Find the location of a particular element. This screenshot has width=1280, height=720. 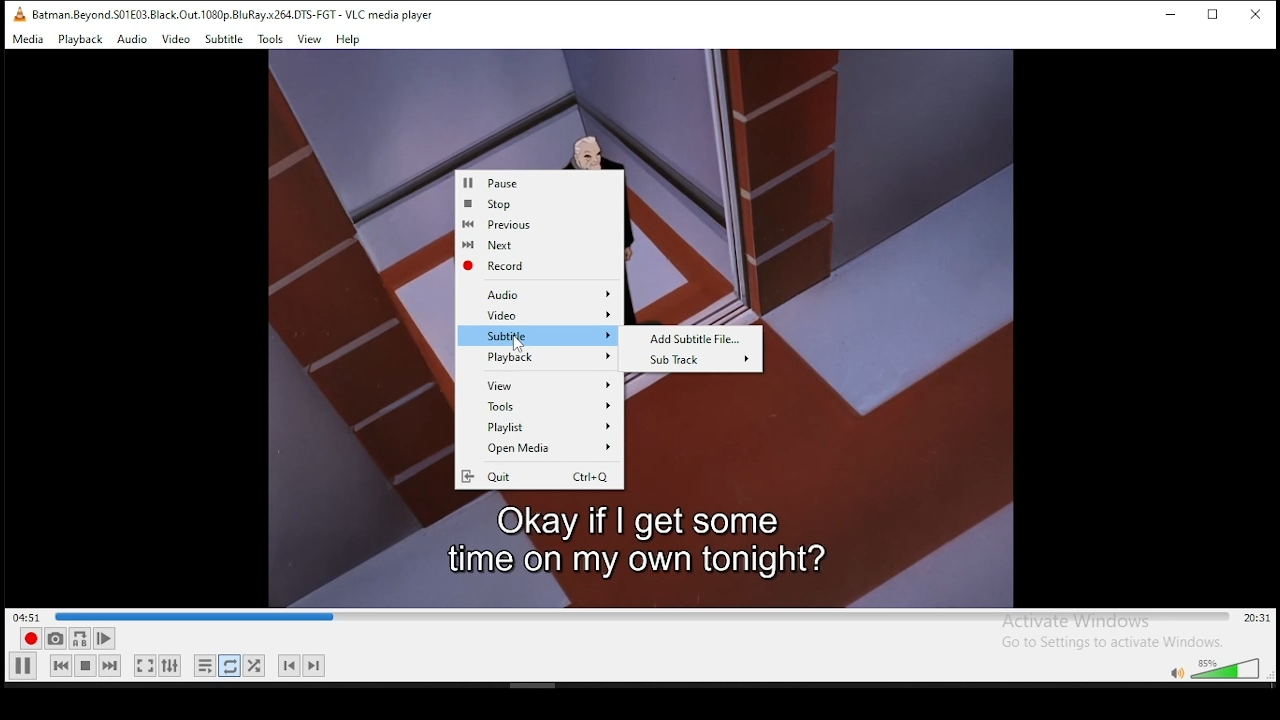

close is located at coordinates (1255, 15).